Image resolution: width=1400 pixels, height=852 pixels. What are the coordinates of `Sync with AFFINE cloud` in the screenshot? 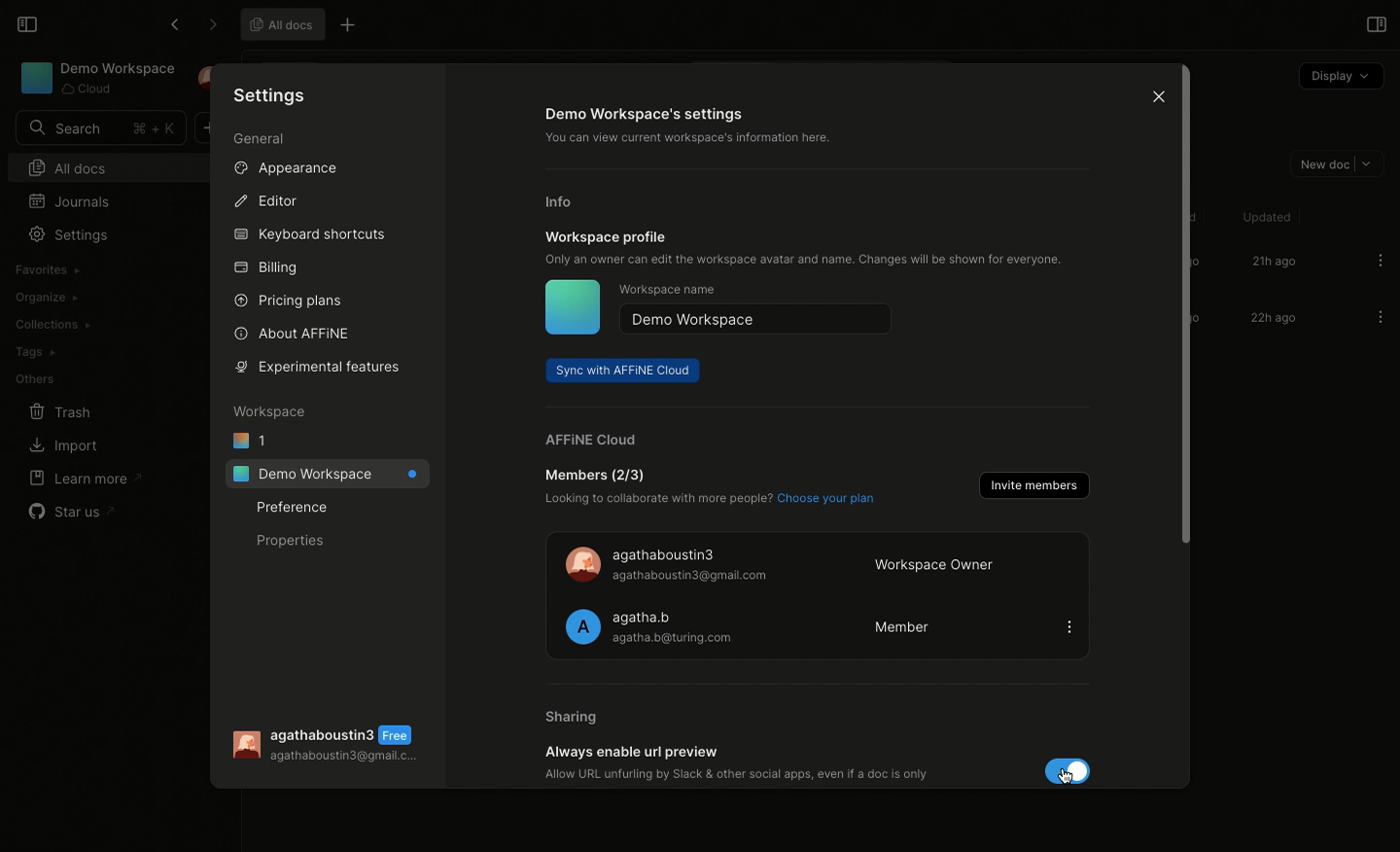 It's located at (623, 371).